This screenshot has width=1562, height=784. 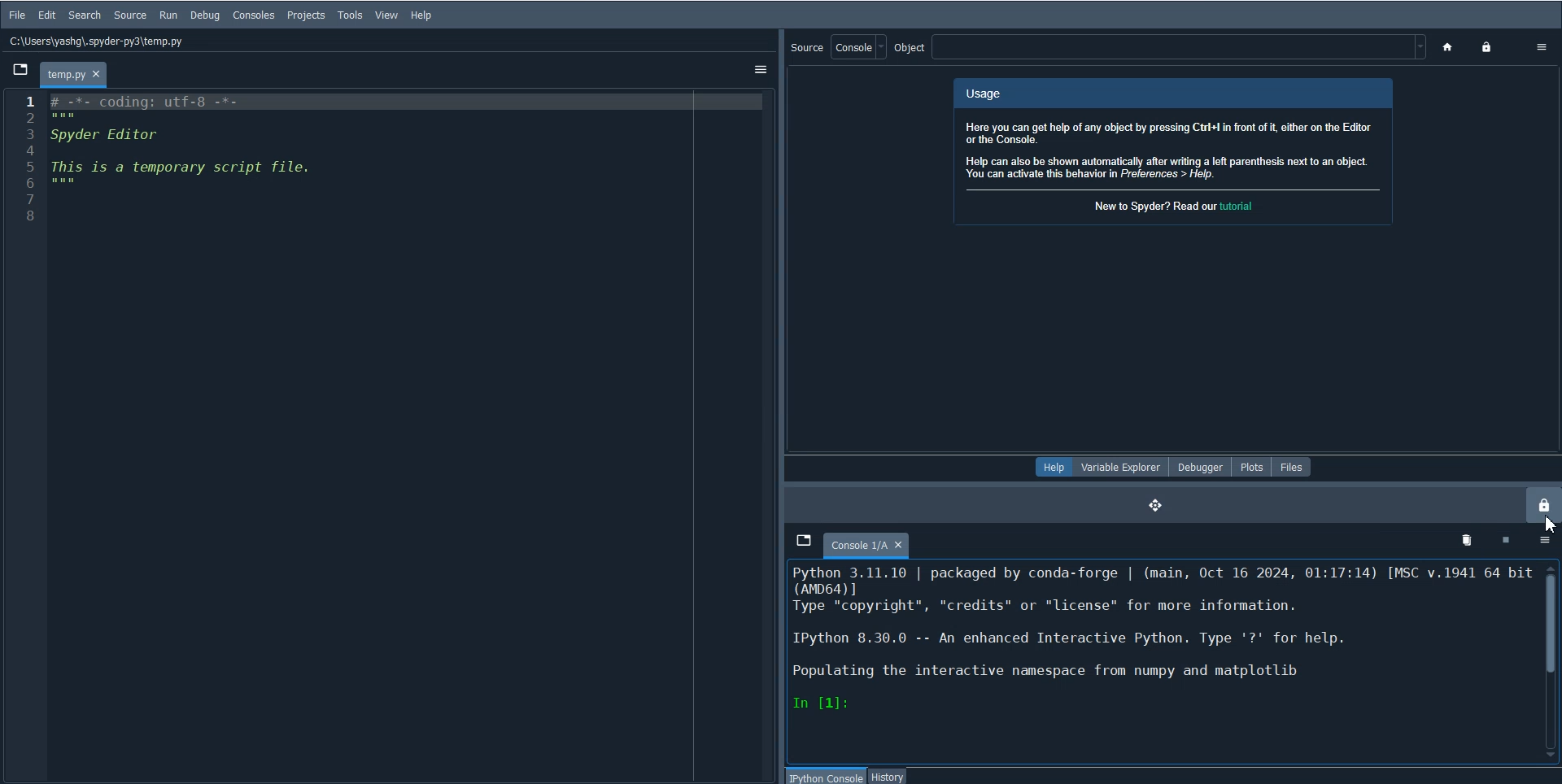 What do you see at coordinates (1552, 658) in the screenshot?
I see `Vertical scroll bar` at bounding box center [1552, 658].